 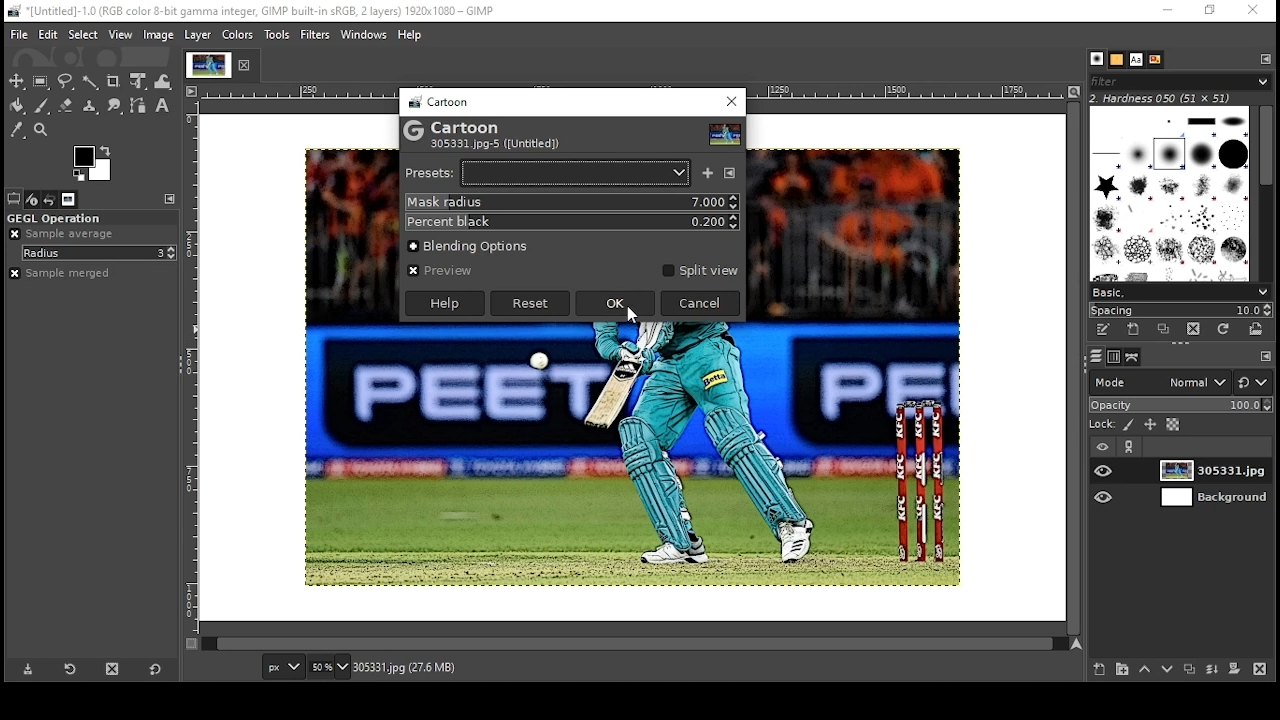 I want to click on configure this tab, so click(x=1263, y=59).